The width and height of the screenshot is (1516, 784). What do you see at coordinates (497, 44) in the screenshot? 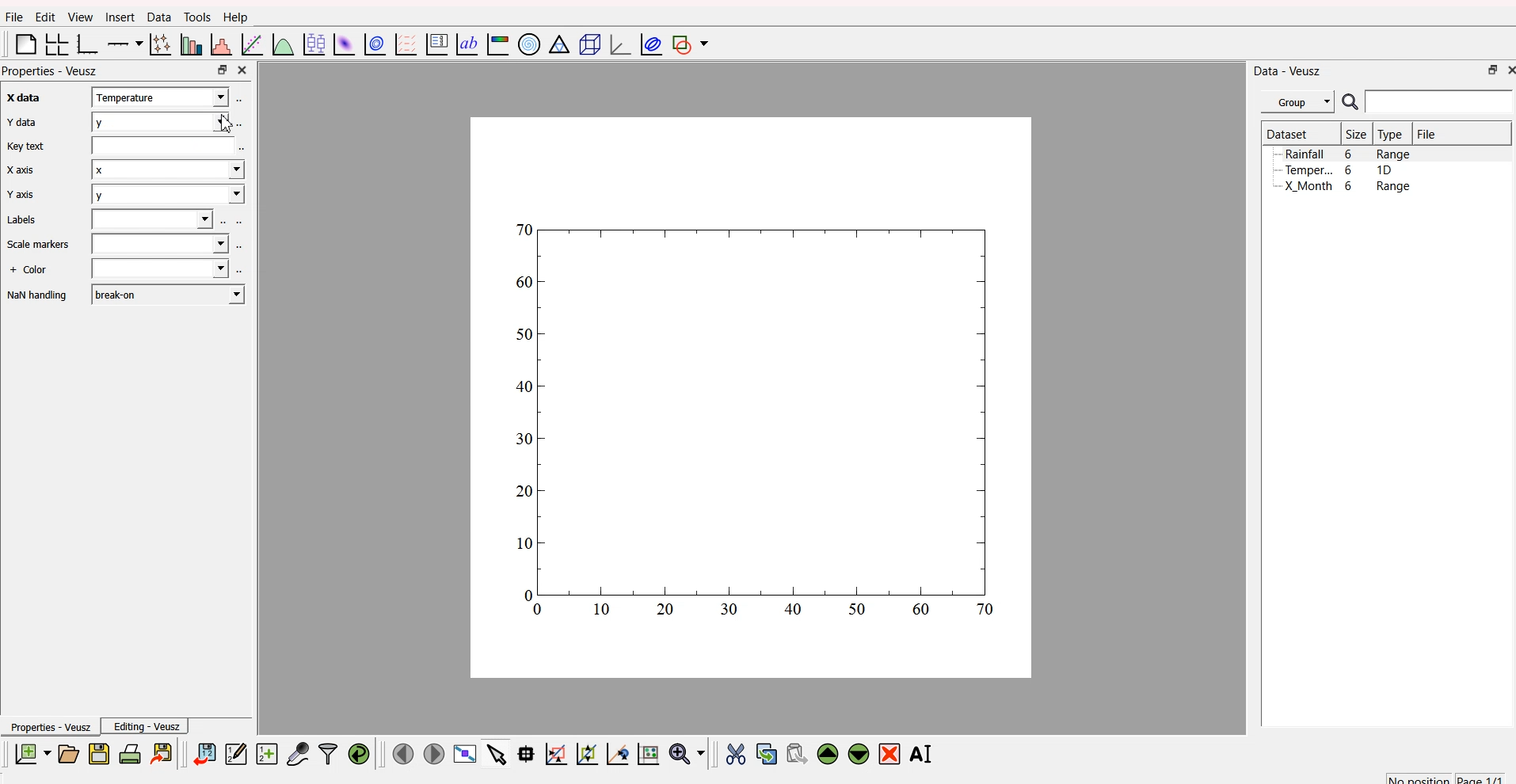
I see `image color bar ` at bounding box center [497, 44].